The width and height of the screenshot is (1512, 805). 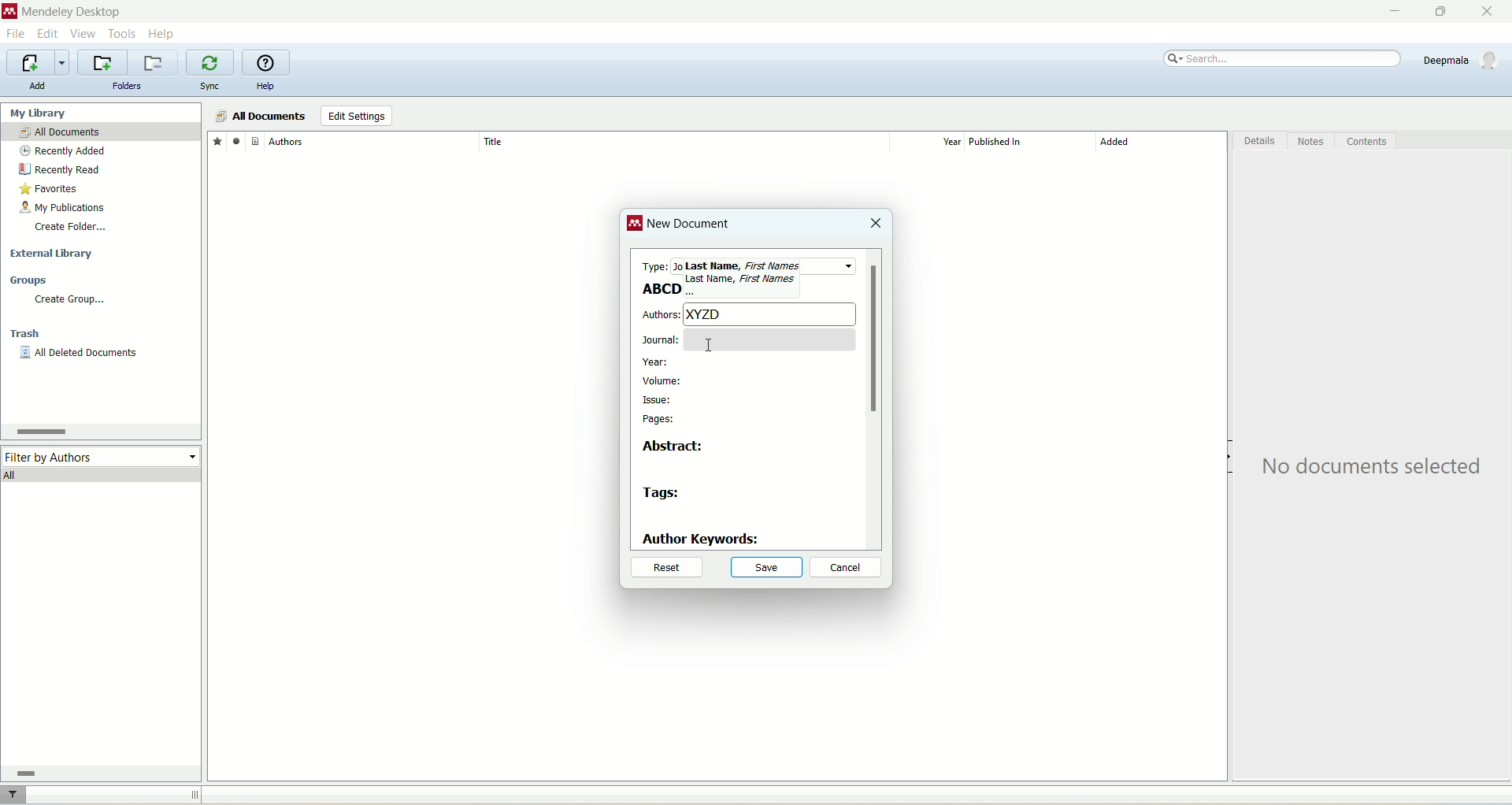 I want to click on favorites, so click(x=50, y=191).